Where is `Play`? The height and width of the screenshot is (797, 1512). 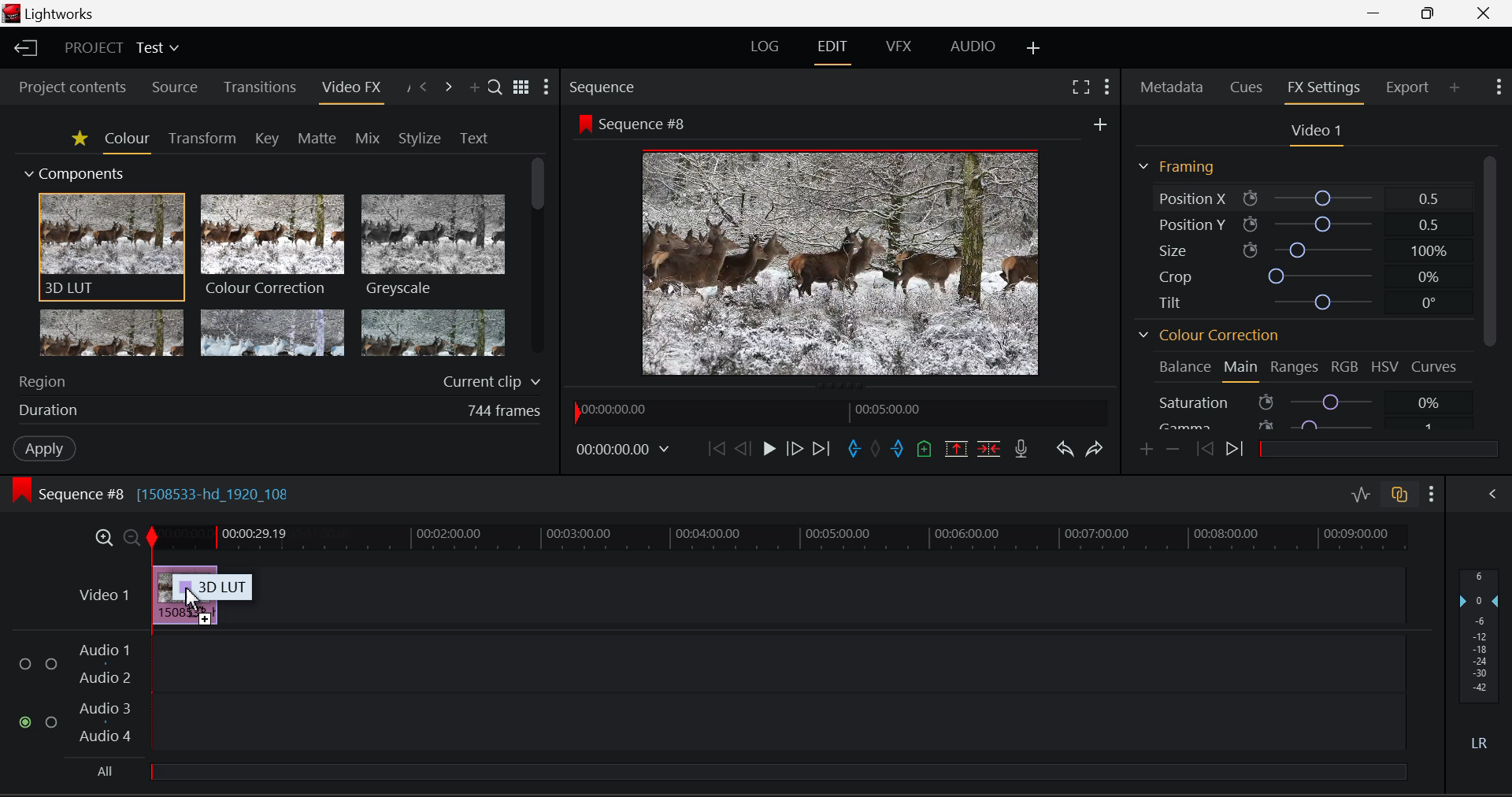
Play is located at coordinates (767, 449).